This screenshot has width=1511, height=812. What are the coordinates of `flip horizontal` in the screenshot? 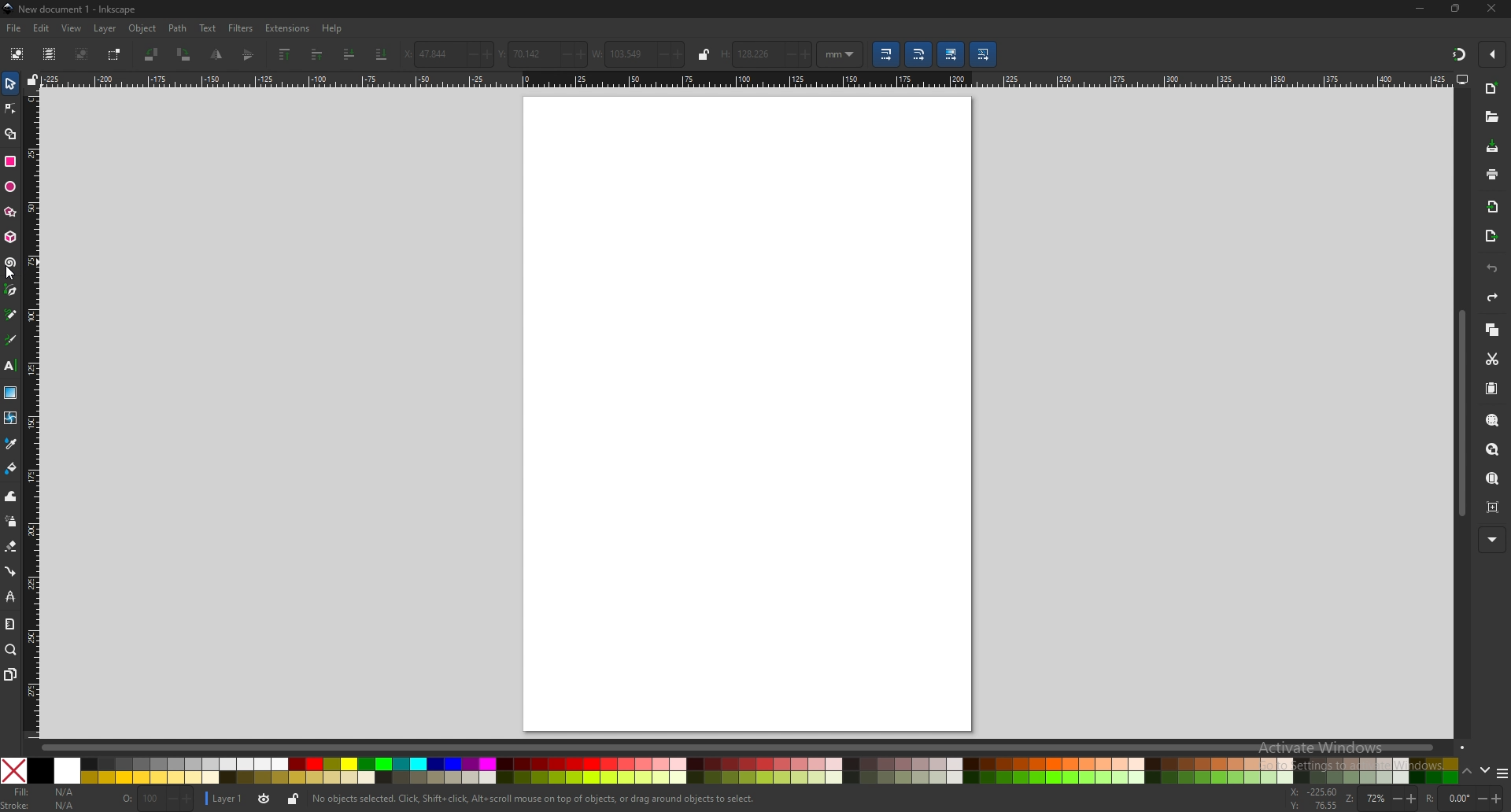 It's located at (217, 56).